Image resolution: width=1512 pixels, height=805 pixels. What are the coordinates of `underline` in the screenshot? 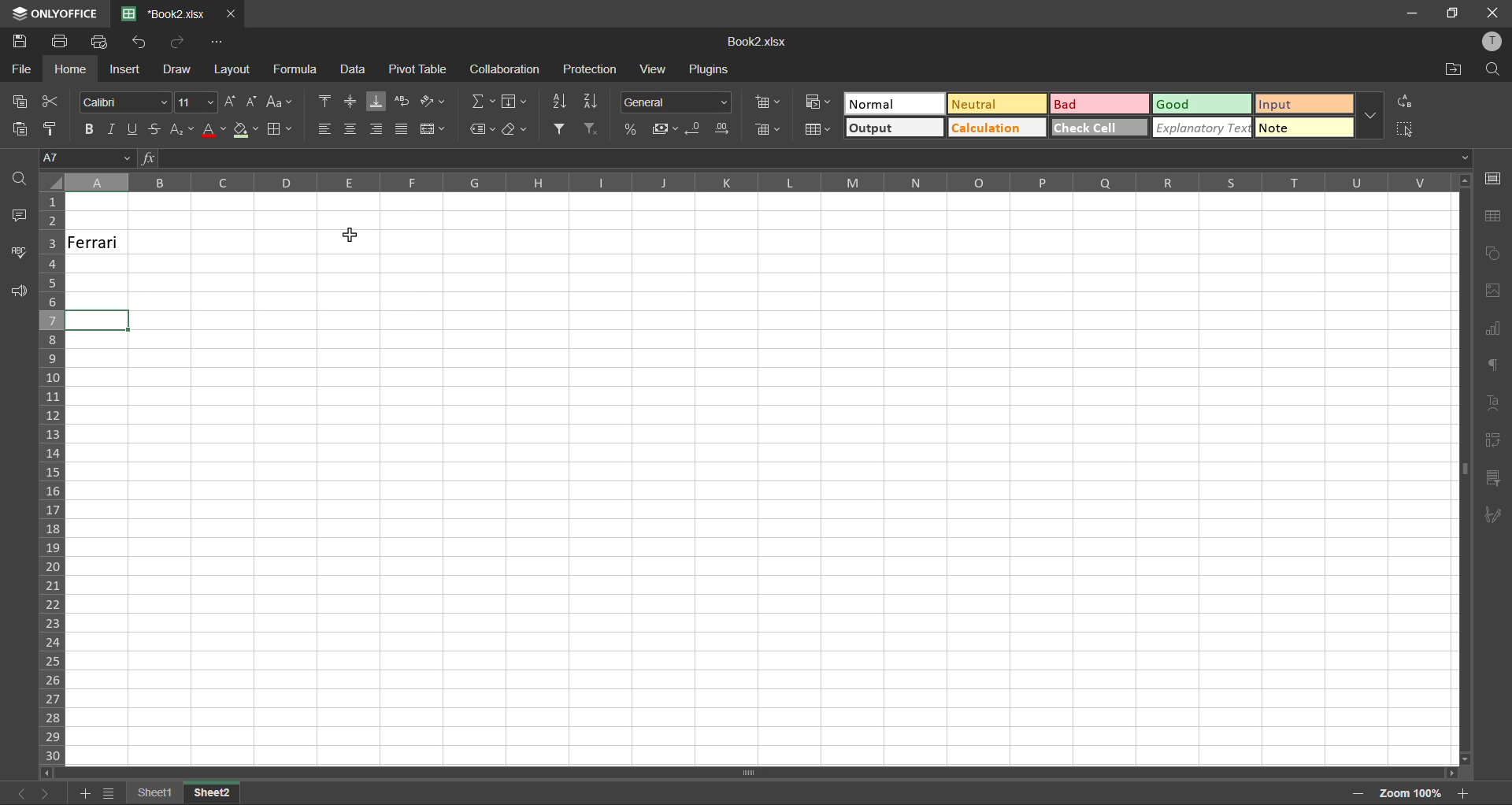 It's located at (133, 129).